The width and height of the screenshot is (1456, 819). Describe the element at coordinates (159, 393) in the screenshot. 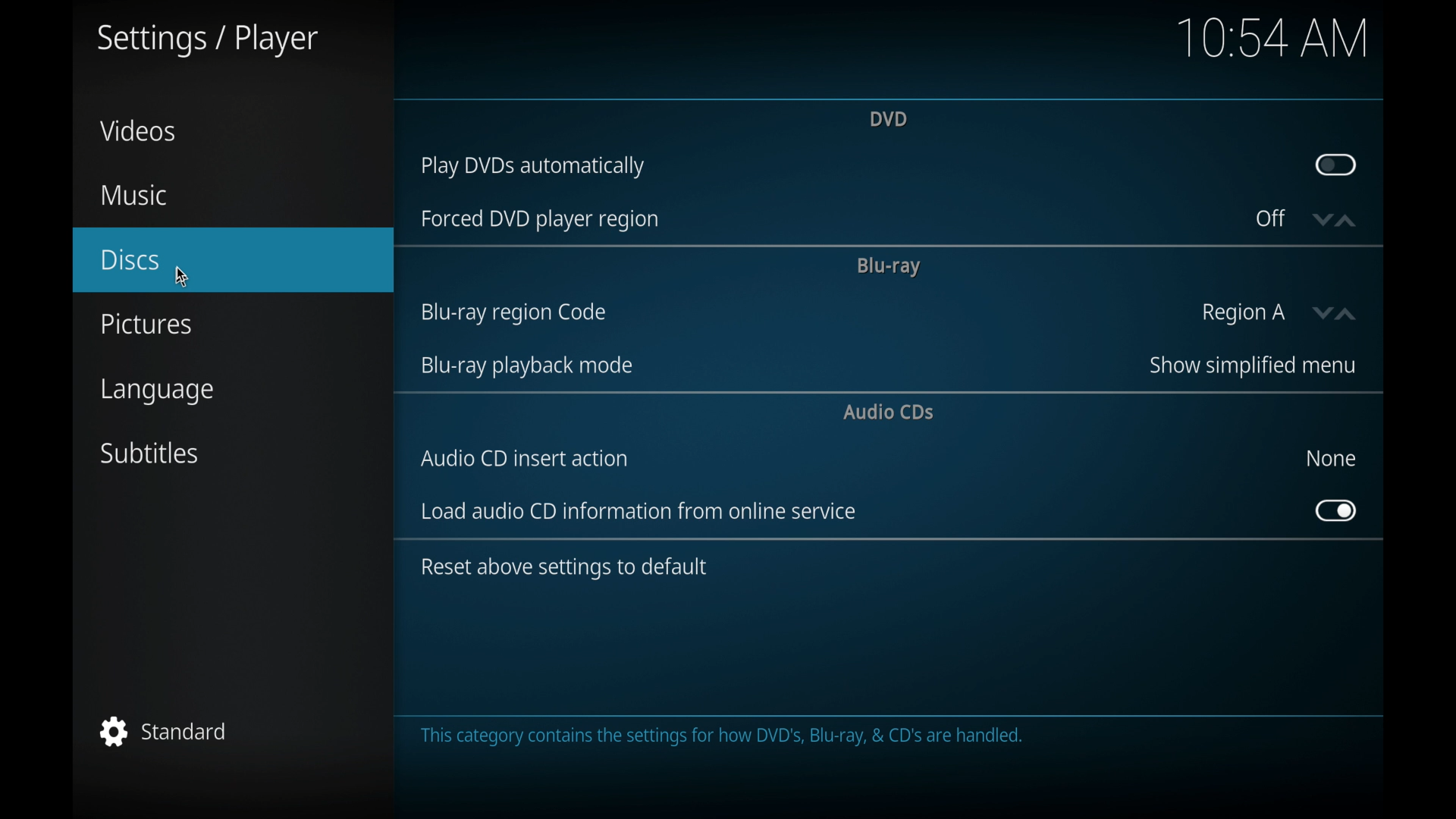

I see `language` at that location.